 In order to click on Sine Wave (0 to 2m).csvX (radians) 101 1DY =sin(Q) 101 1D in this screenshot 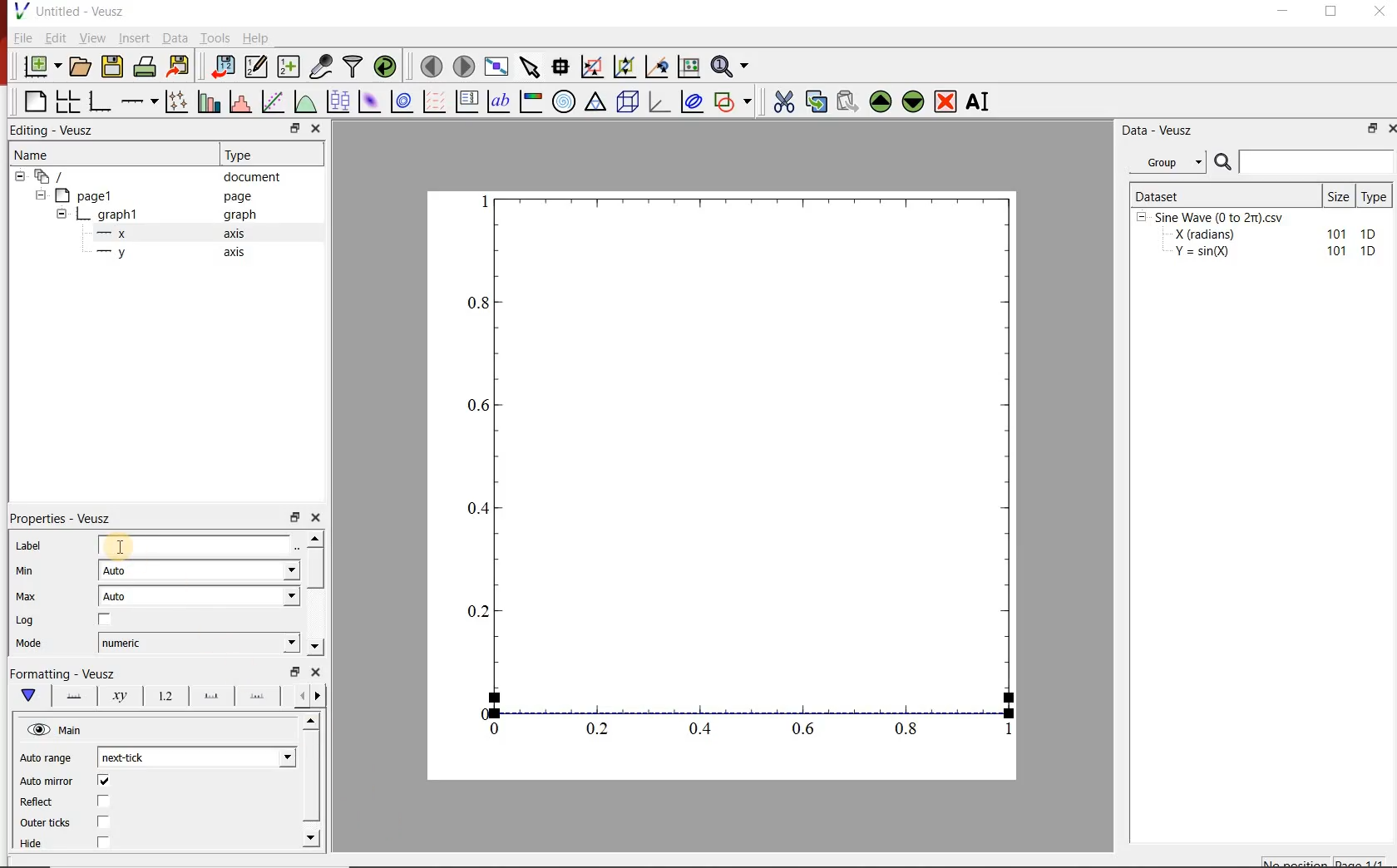, I will do `click(1258, 239)`.